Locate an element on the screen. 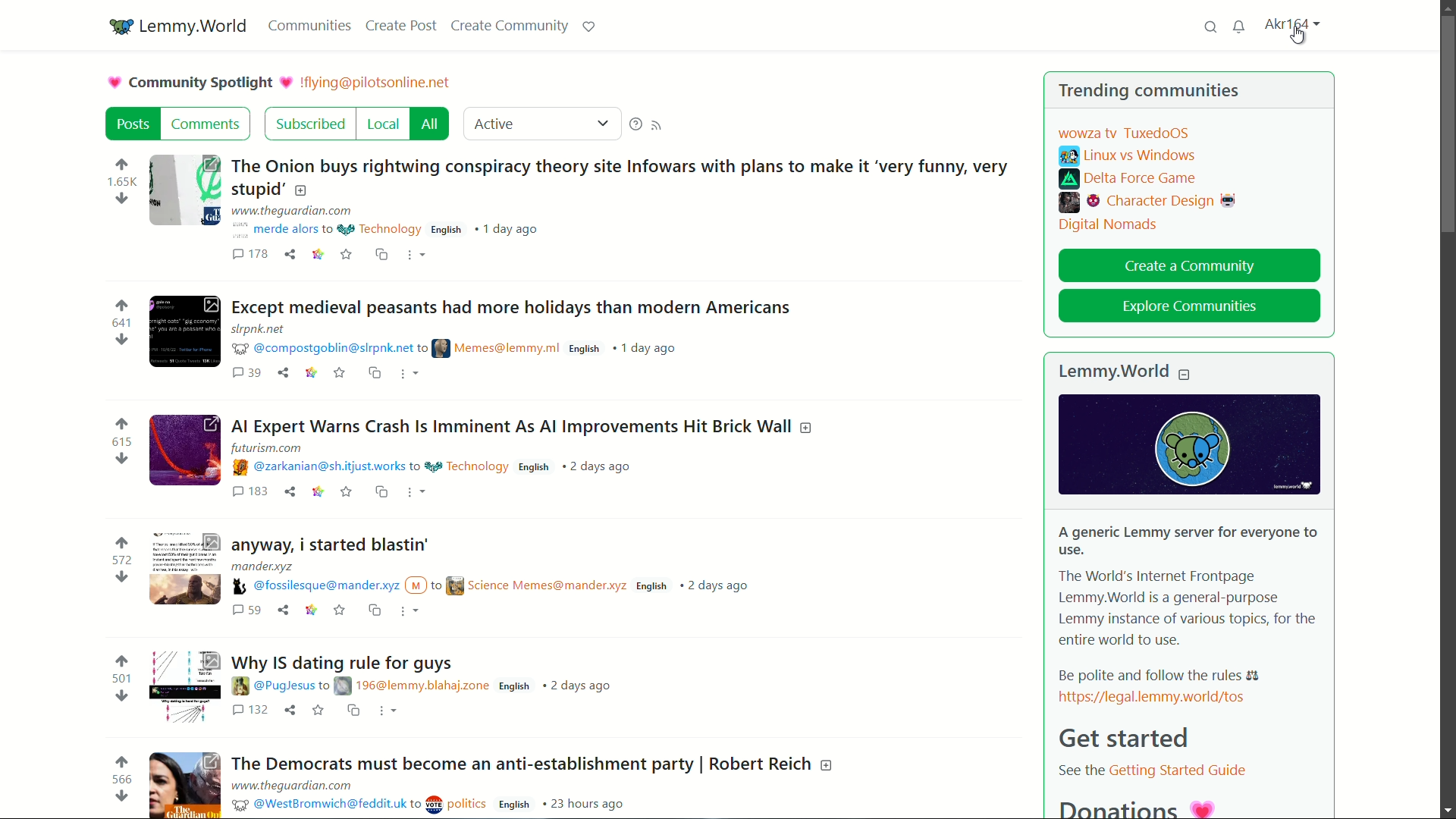  downvote is located at coordinates (121, 576).